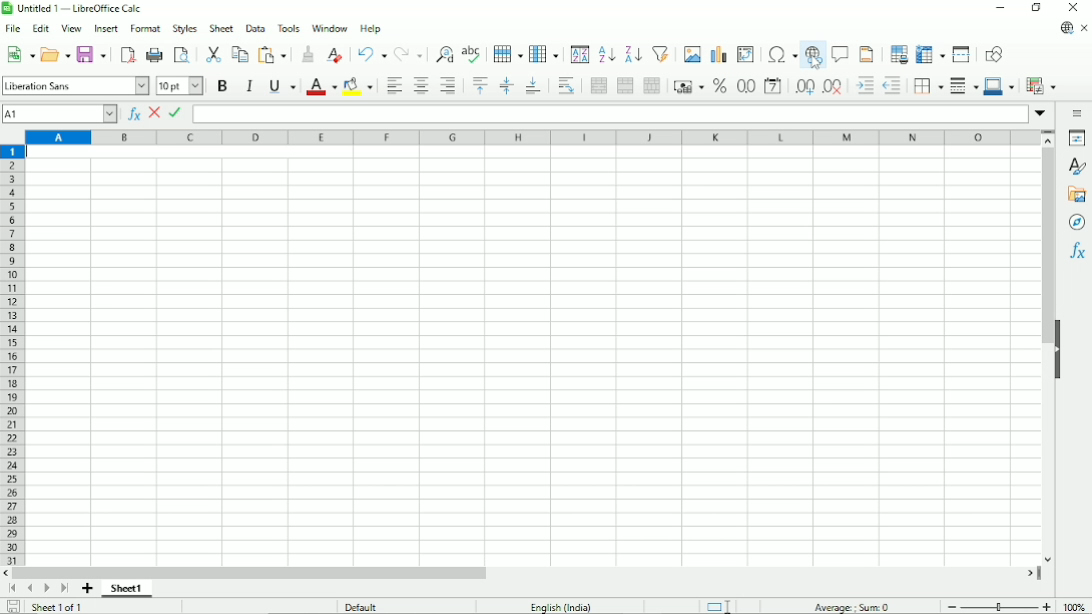  Describe the element at coordinates (533, 138) in the screenshot. I see `Column headings` at that location.